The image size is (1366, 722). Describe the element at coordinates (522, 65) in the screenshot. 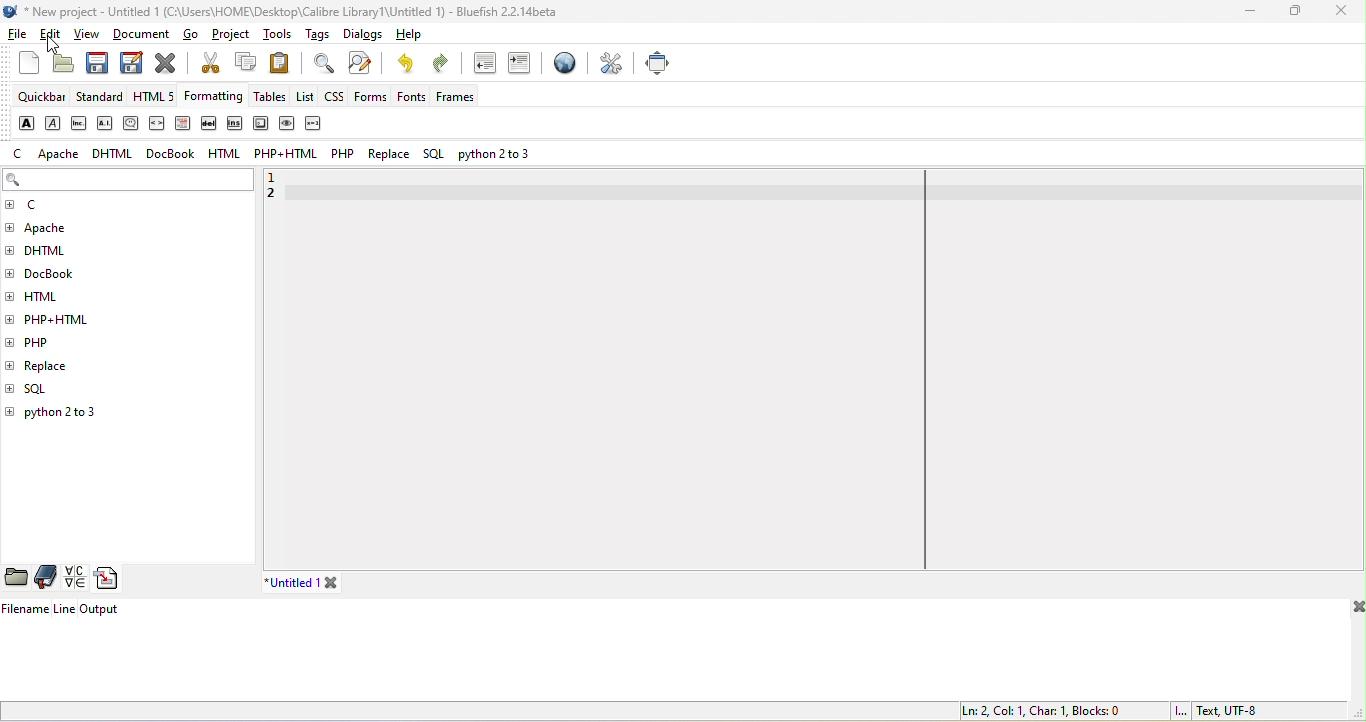

I see `indent` at that location.